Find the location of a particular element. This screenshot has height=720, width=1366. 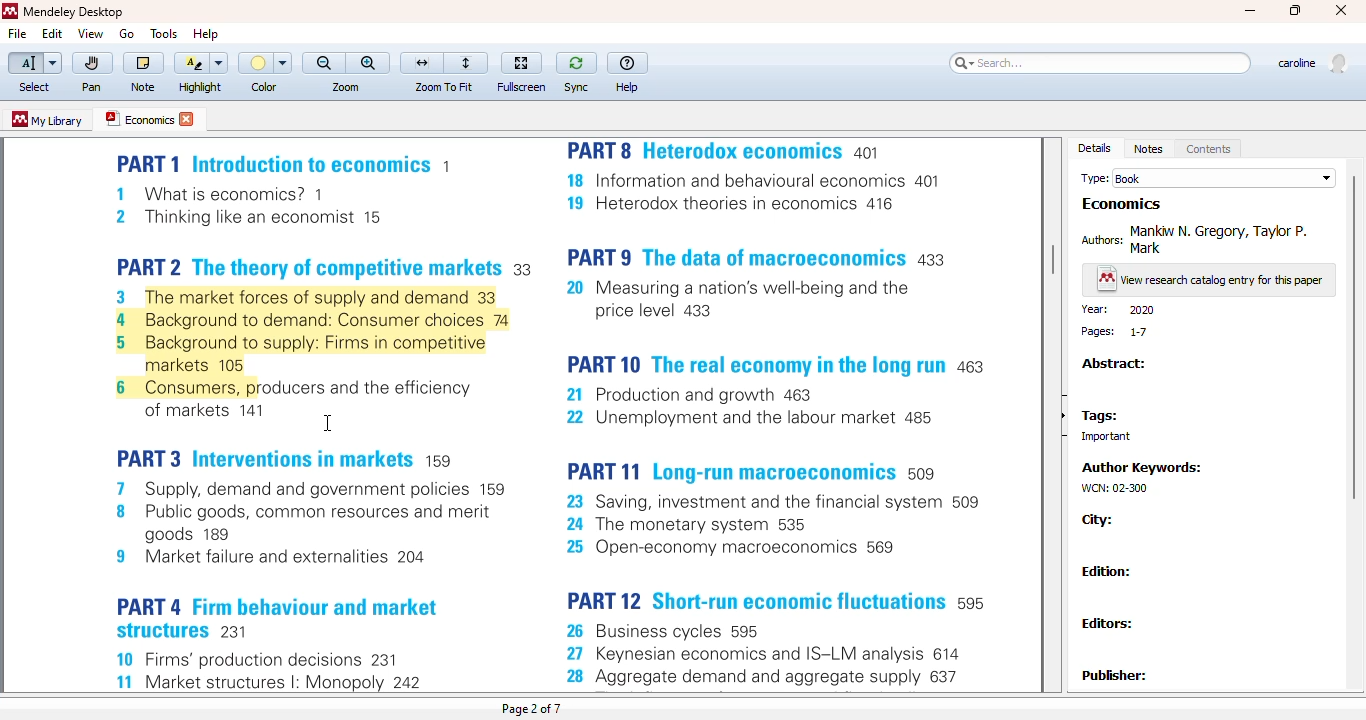

select is located at coordinates (34, 88).